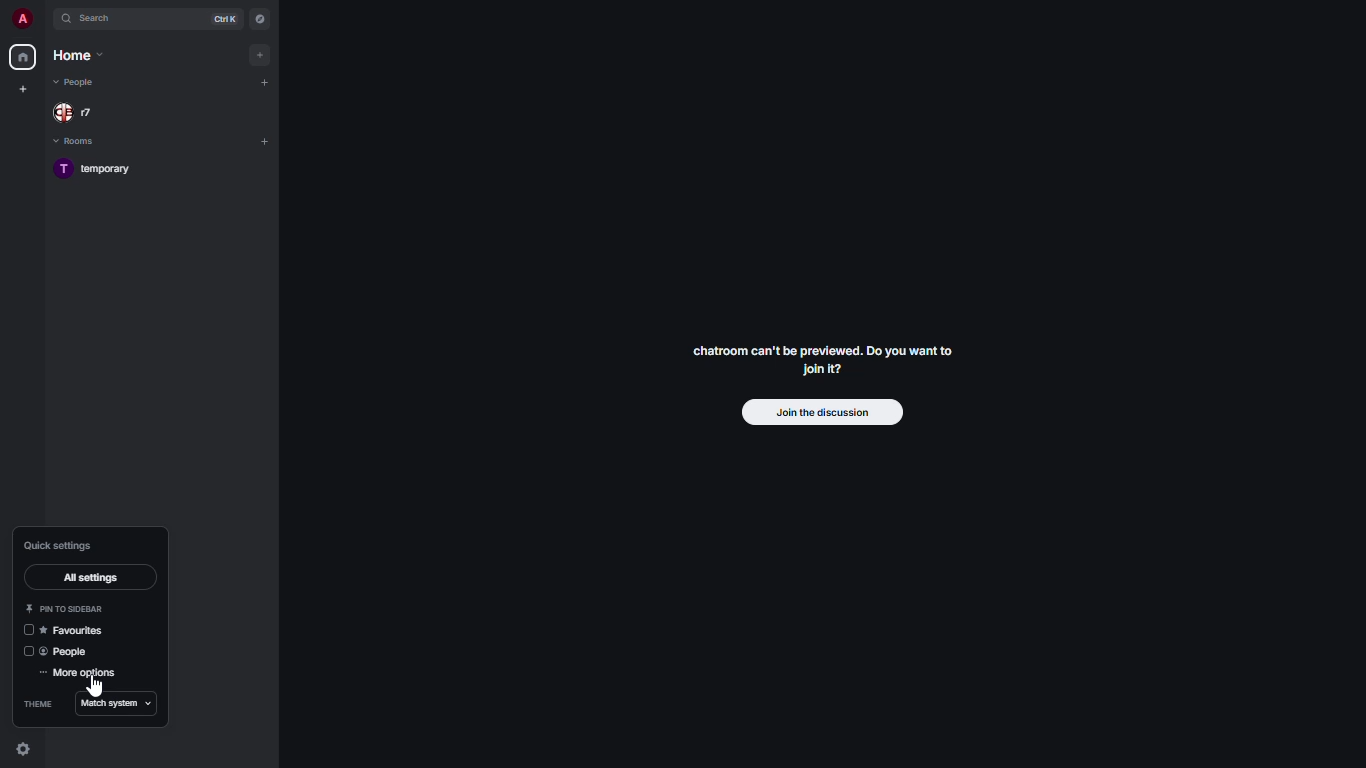  Describe the element at coordinates (117, 703) in the screenshot. I see `match system` at that location.